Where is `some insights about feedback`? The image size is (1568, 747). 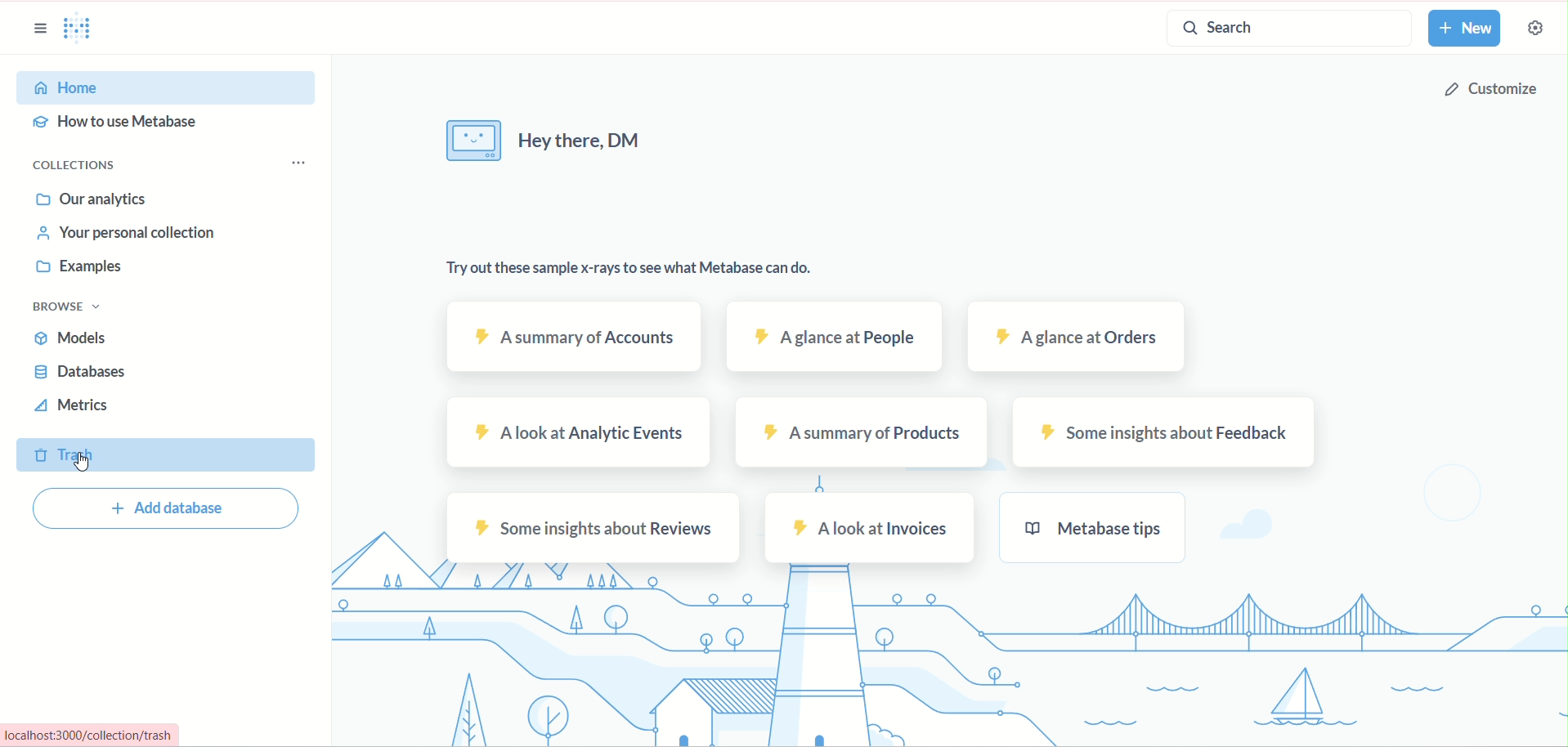 some insights about feedback is located at coordinates (1154, 436).